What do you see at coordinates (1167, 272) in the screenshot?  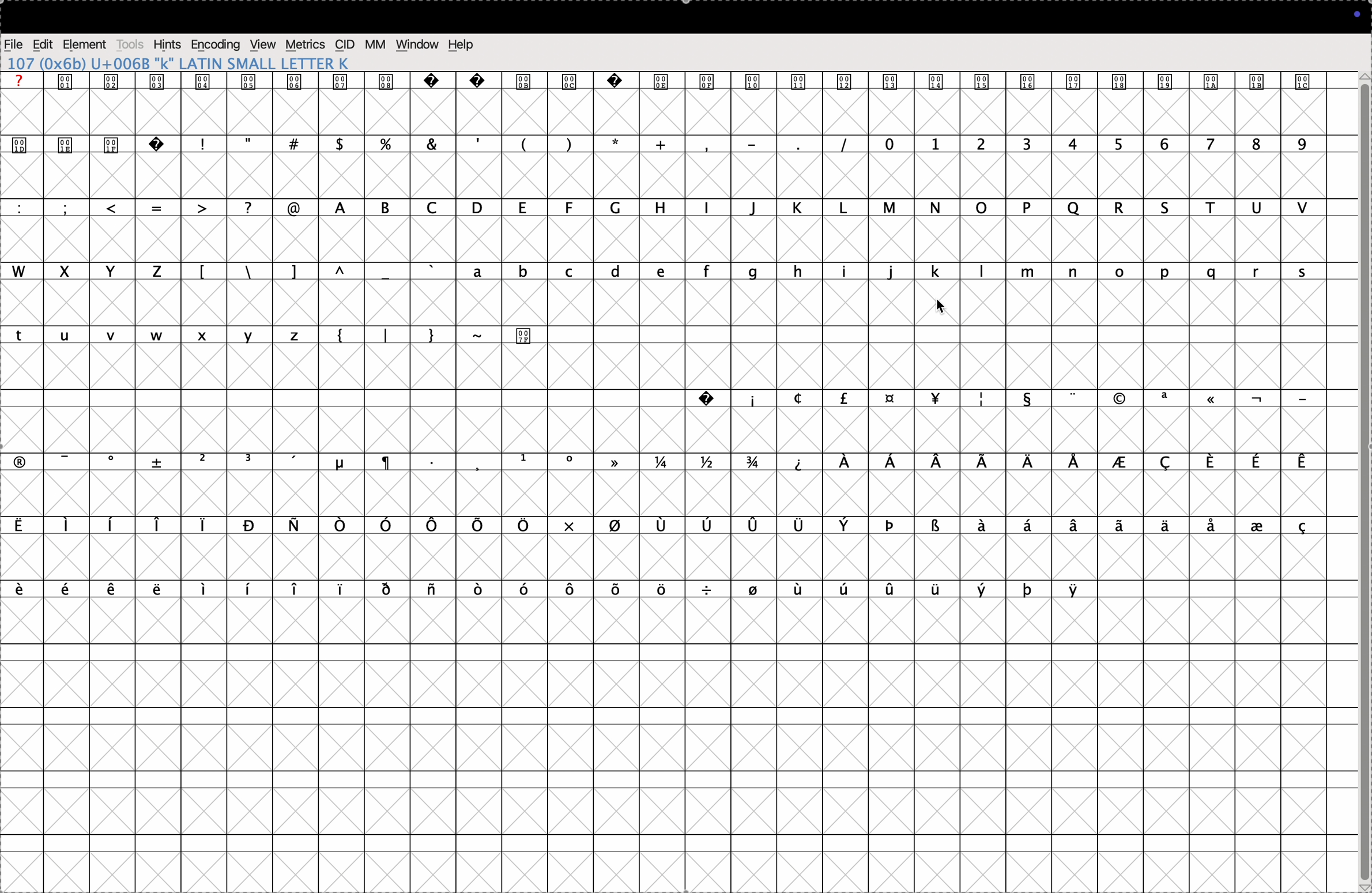 I see `p` at bounding box center [1167, 272].